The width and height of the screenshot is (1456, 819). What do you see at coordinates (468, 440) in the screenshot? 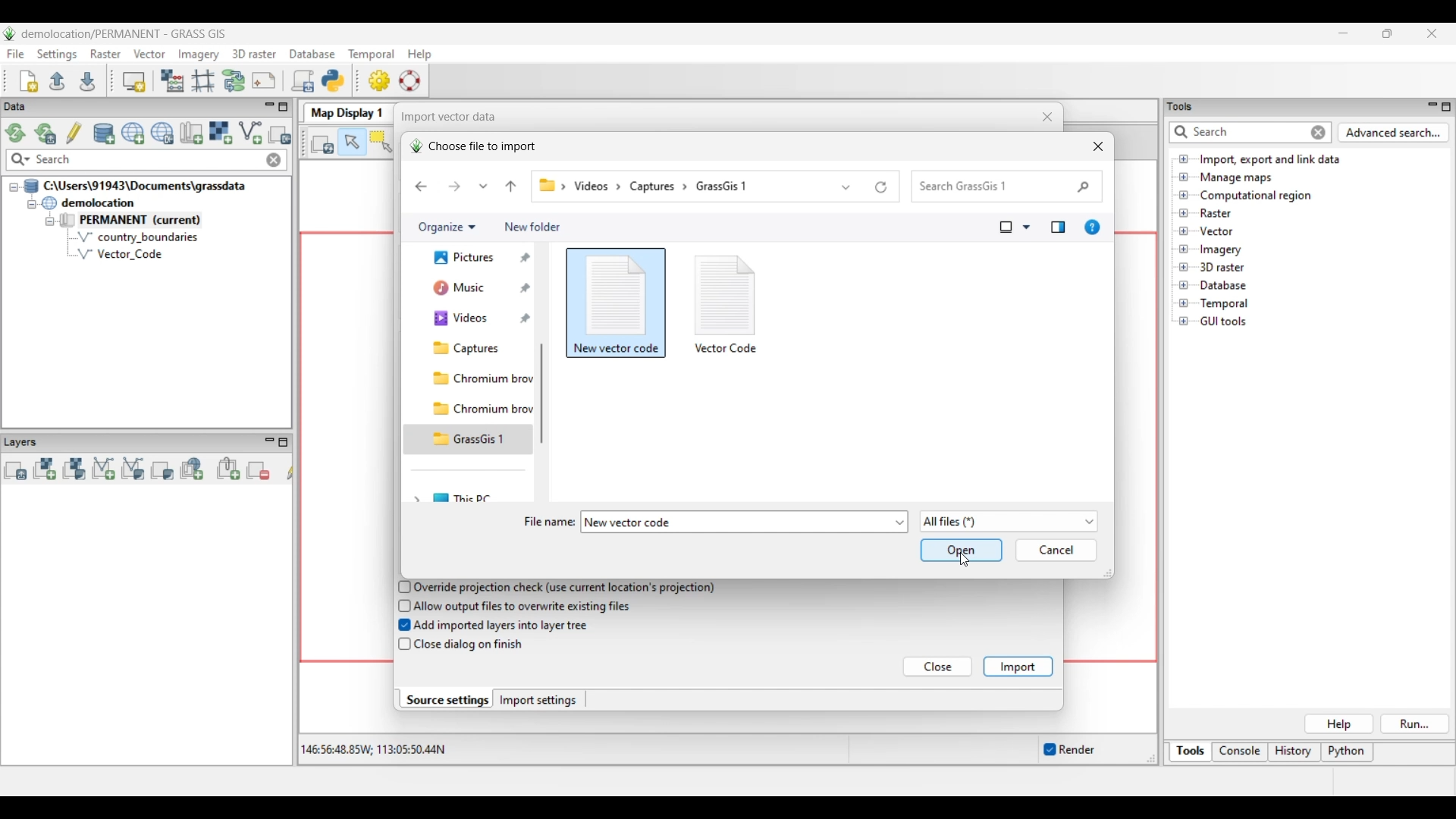
I see `GrassGis 1 folder highlighted as the current folder` at bounding box center [468, 440].